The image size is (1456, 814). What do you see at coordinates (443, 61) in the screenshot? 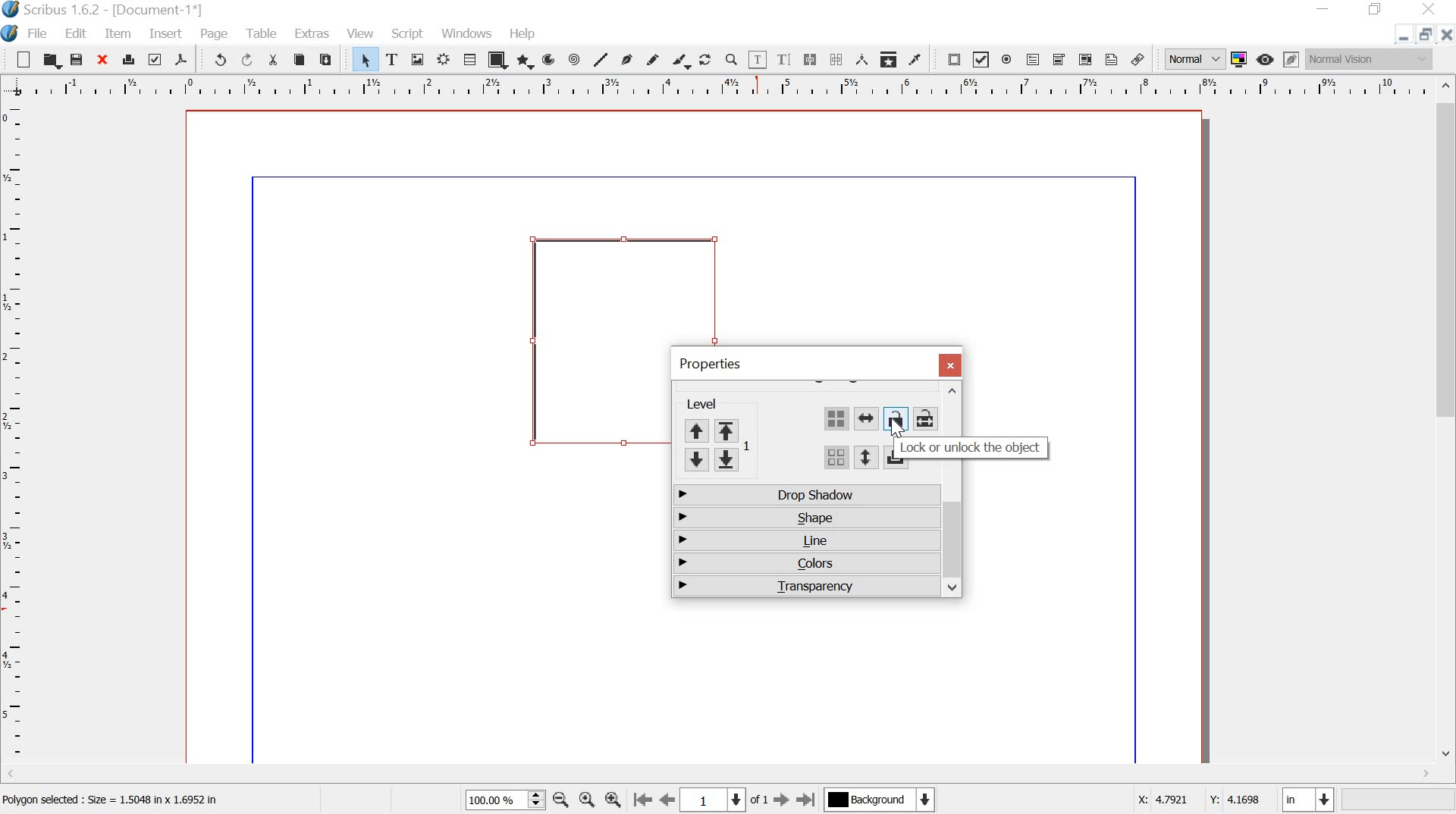
I see `render frame` at bounding box center [443, 61].